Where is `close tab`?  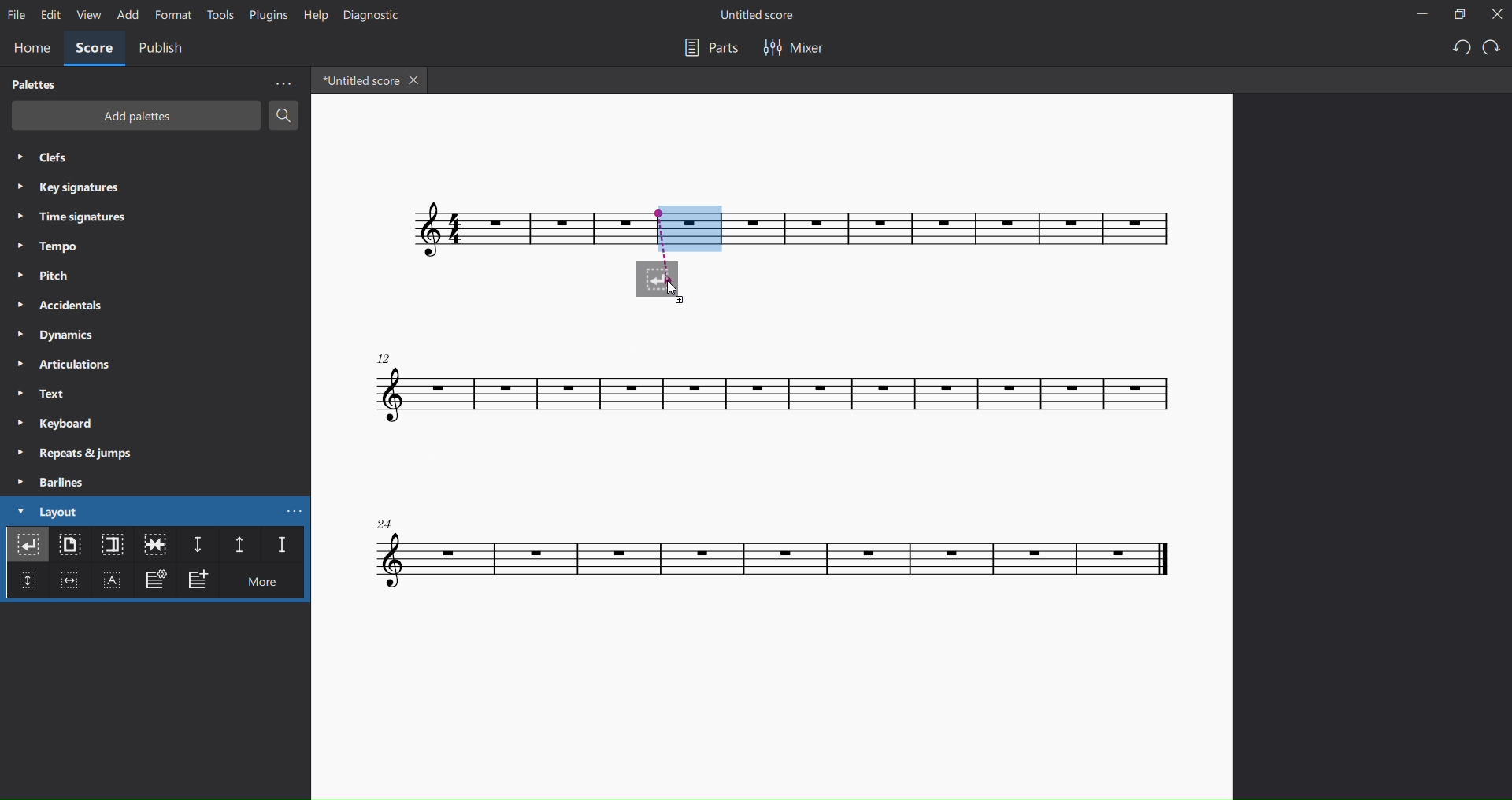 close tab is located at coordinates (417, 82).